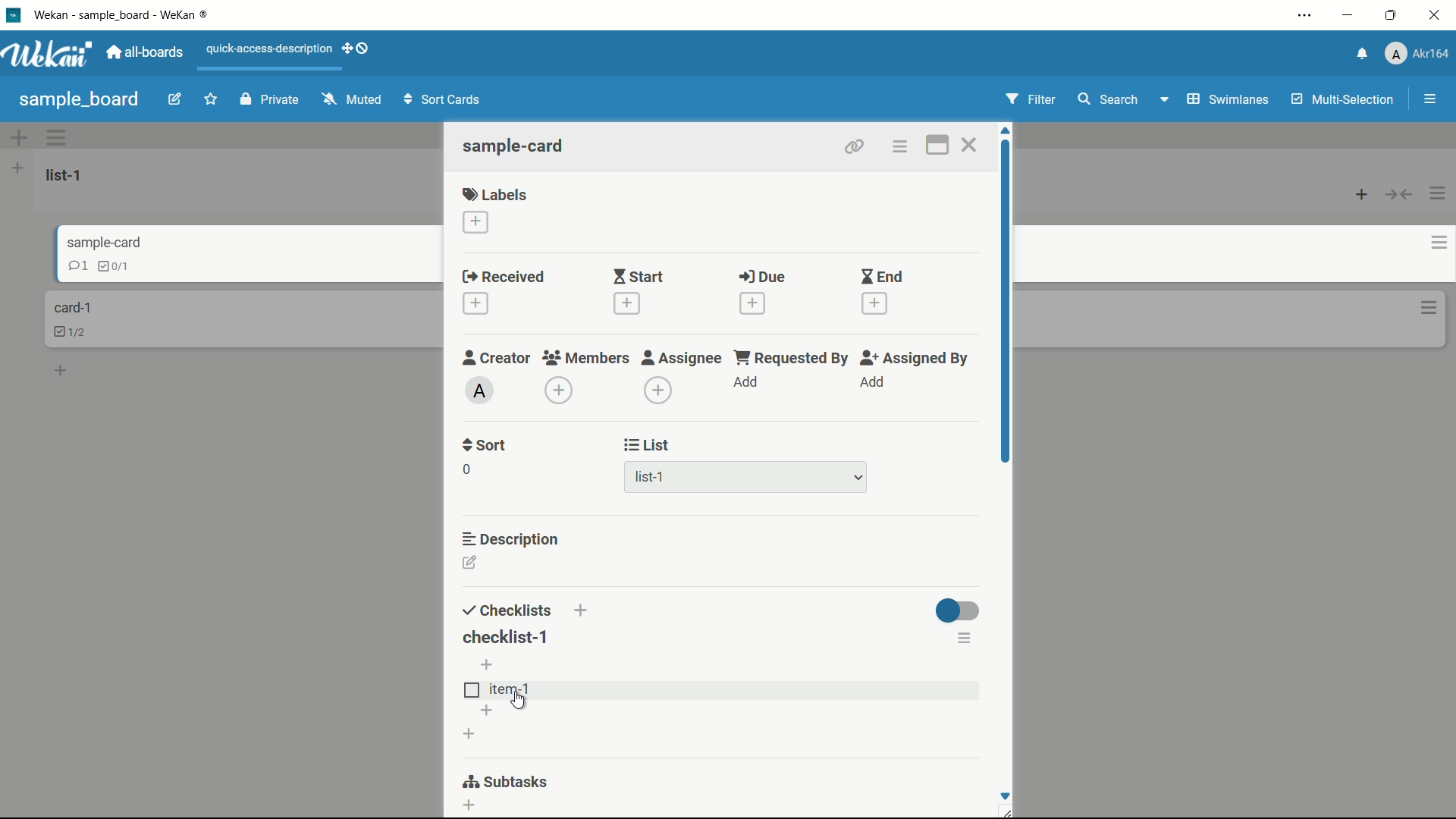 This screenshot has height=819, width=1456. Describe the element at coordinates (485, 447) in the screenshot. I see `sort` at that location.